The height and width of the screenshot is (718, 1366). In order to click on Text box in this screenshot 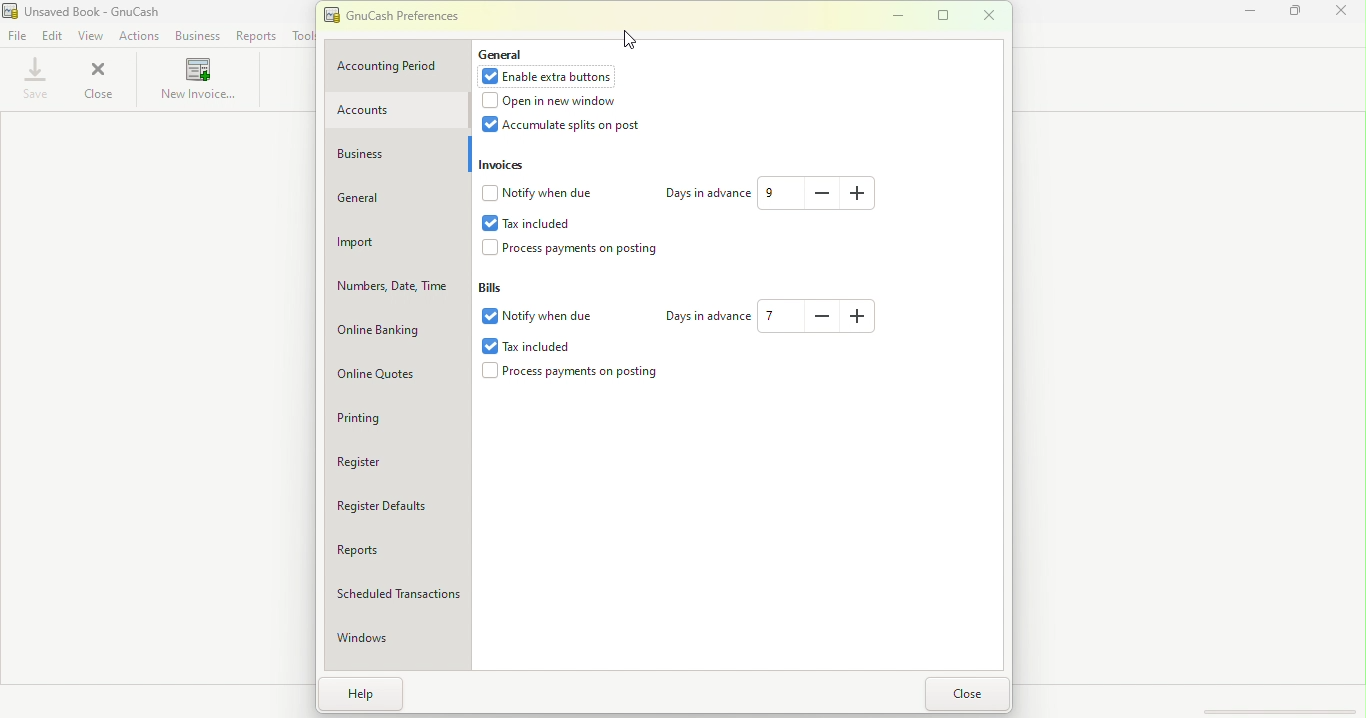, I will do `click(781, 195)`.